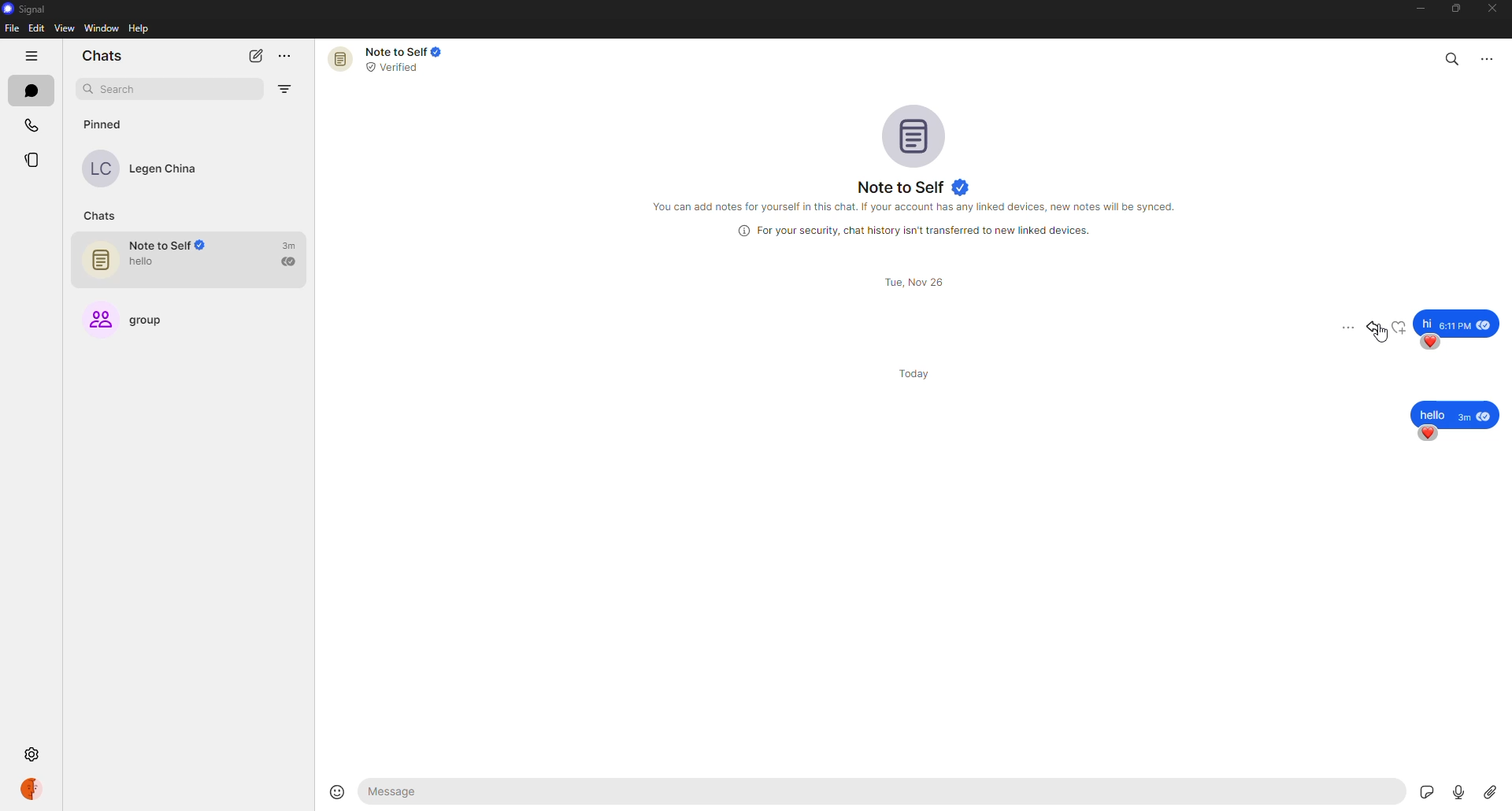 This screenshot has height=811, width=1512. Describe the element at coordinates (151, 168) in the screenshot. I see `contact` at that location.